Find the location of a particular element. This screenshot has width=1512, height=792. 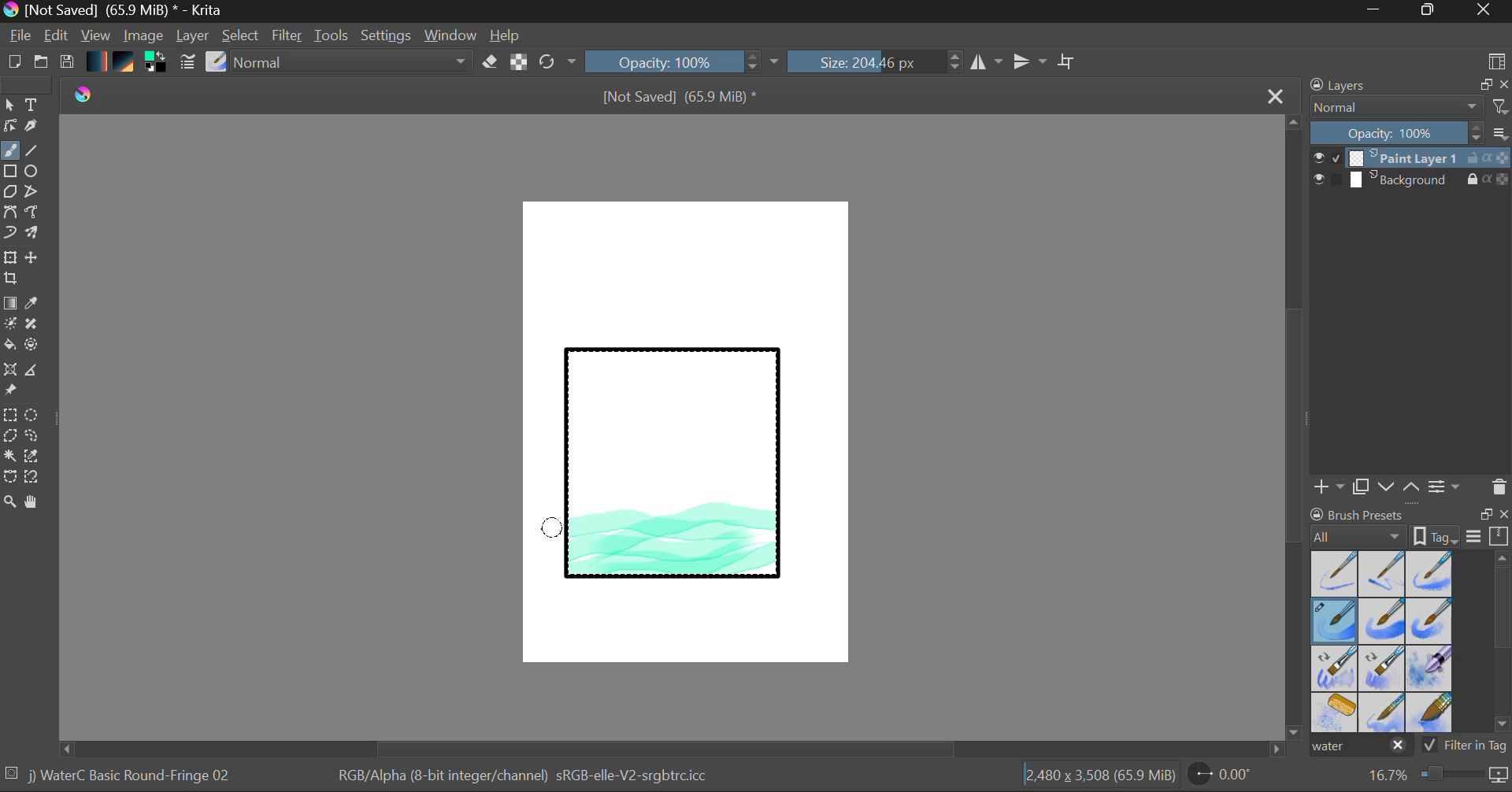

Window is located at coordinates (453, 35).